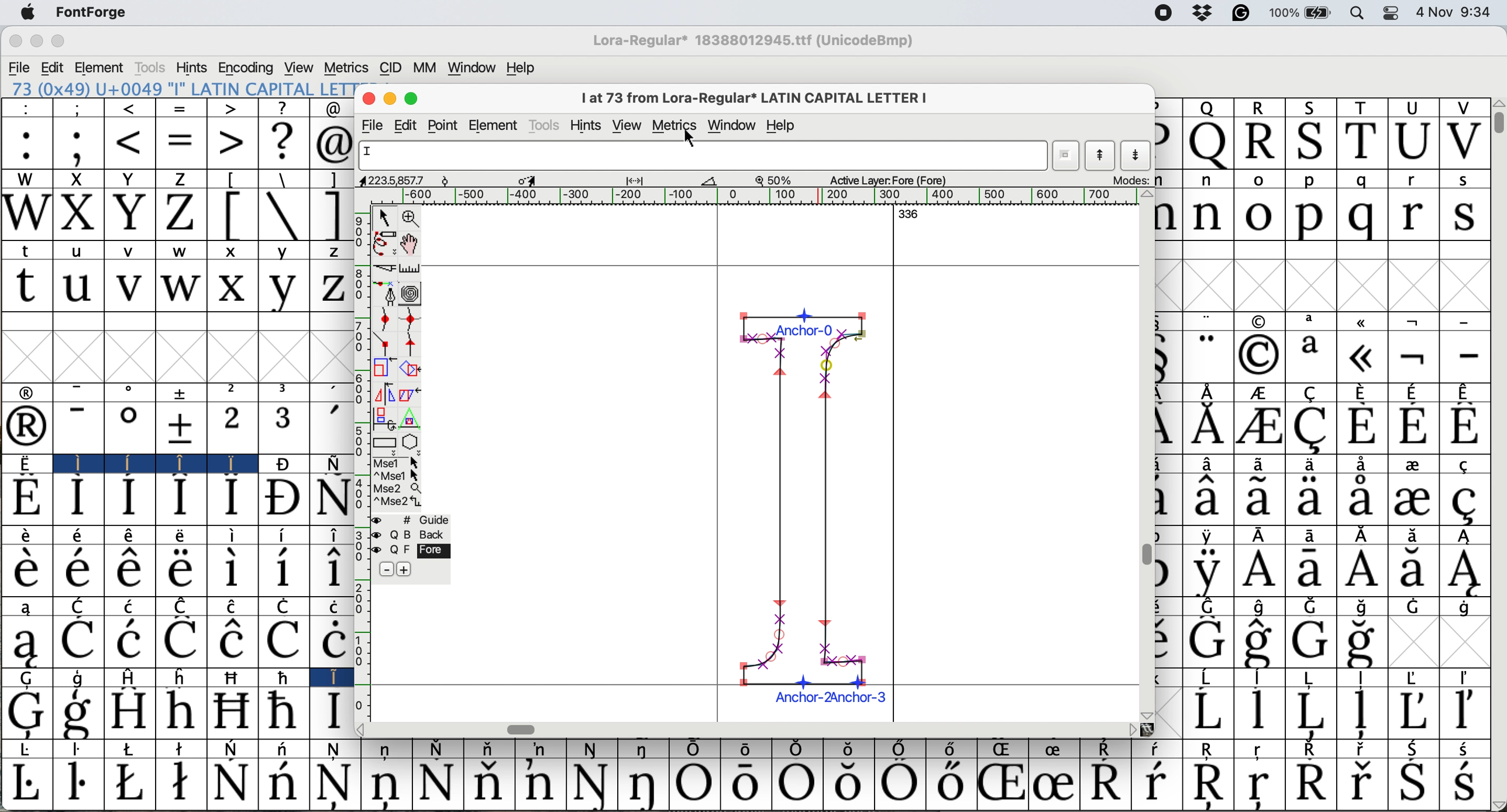 Image resolution: width=1507 pixels, height=812 pixels. Describe the element at coordinates (750, 42) in the screenshot. I see `Lora regular*18388012945.ttf (UnicodeBmp)` at that location.